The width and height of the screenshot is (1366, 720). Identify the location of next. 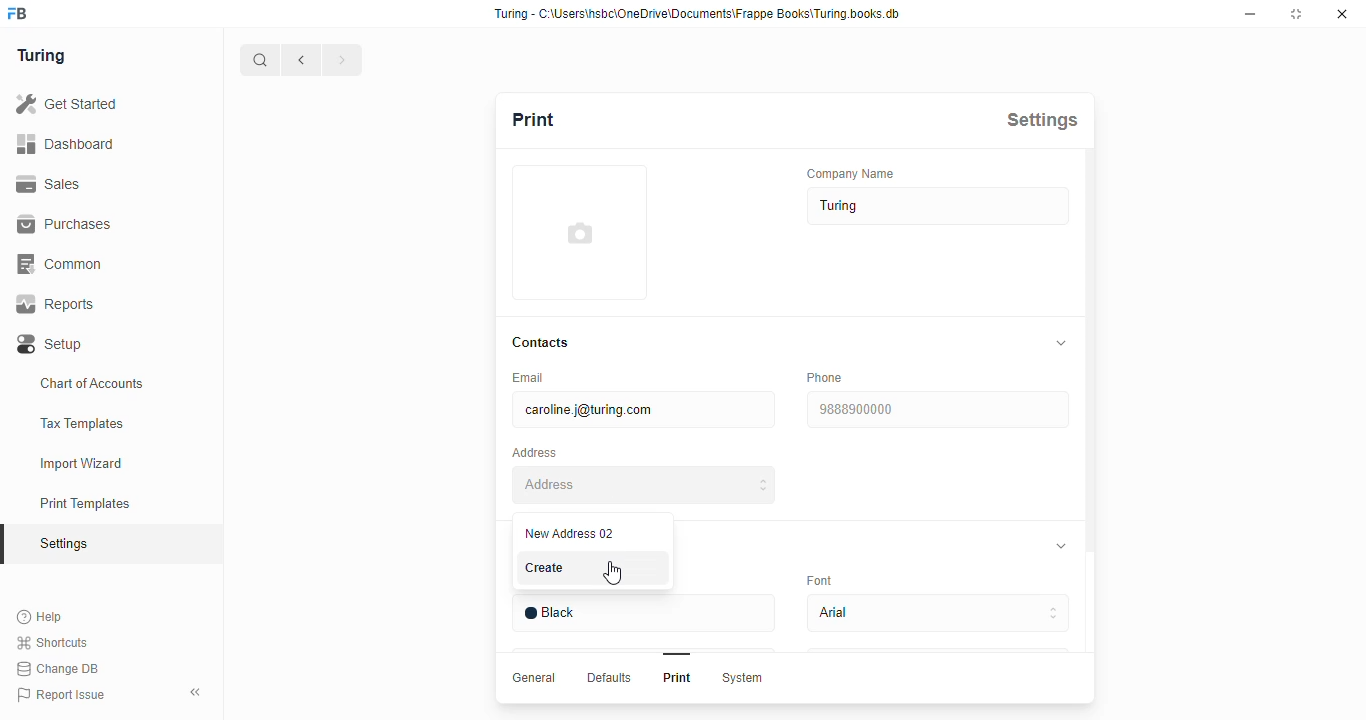
(344, 60).